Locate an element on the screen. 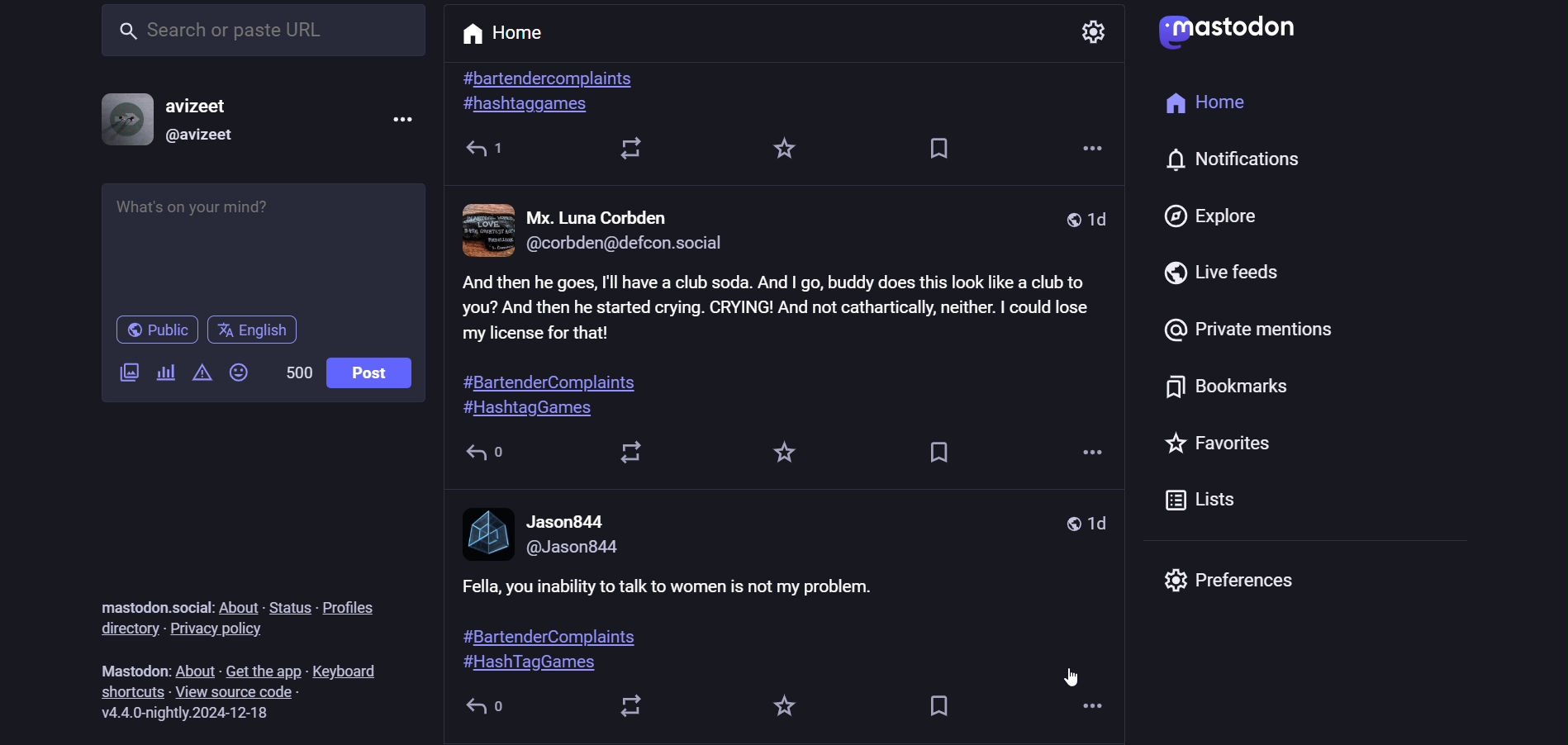 The height and width of the screenshot is (745, 1568). live feeds is located at coordinates (1233, 268).